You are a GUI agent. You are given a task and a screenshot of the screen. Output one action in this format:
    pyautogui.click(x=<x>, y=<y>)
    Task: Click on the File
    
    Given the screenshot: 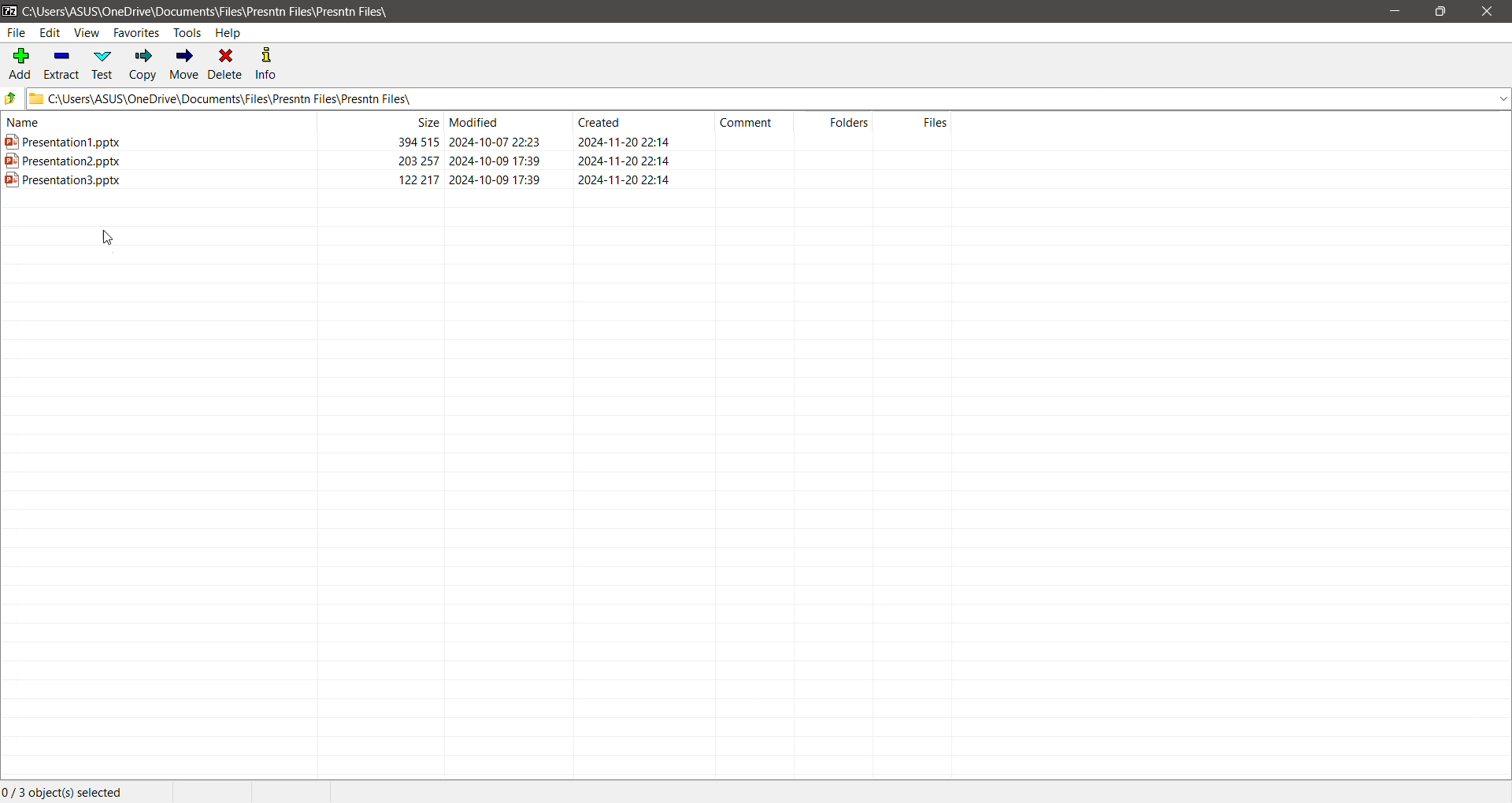 What is the action you would take?
    pyautogui.click(x=16, y=33)
    